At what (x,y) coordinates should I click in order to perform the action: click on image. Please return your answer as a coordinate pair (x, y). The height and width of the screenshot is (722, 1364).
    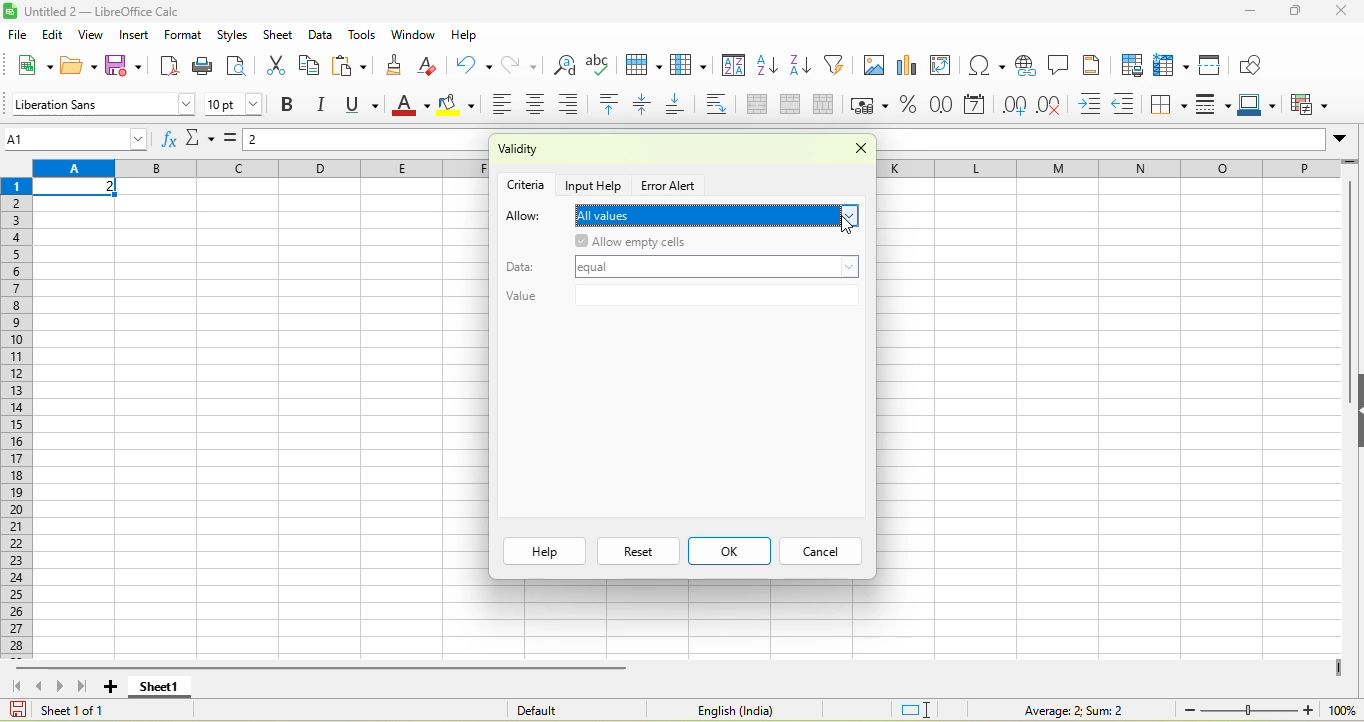
    Looking at the image, I should click on (873, 67).